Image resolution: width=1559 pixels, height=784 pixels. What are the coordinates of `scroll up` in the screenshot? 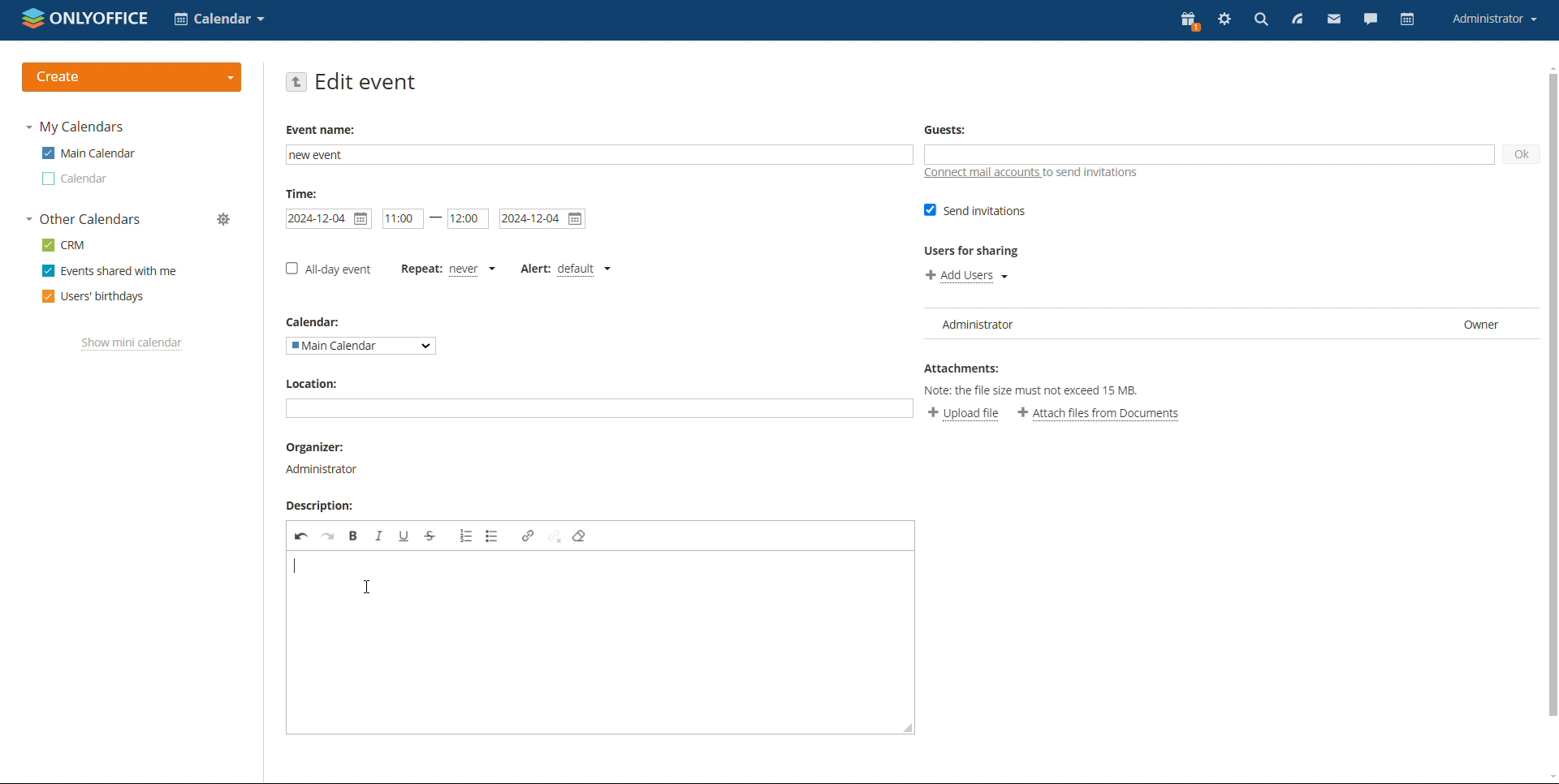 It's located at (1549, 67).